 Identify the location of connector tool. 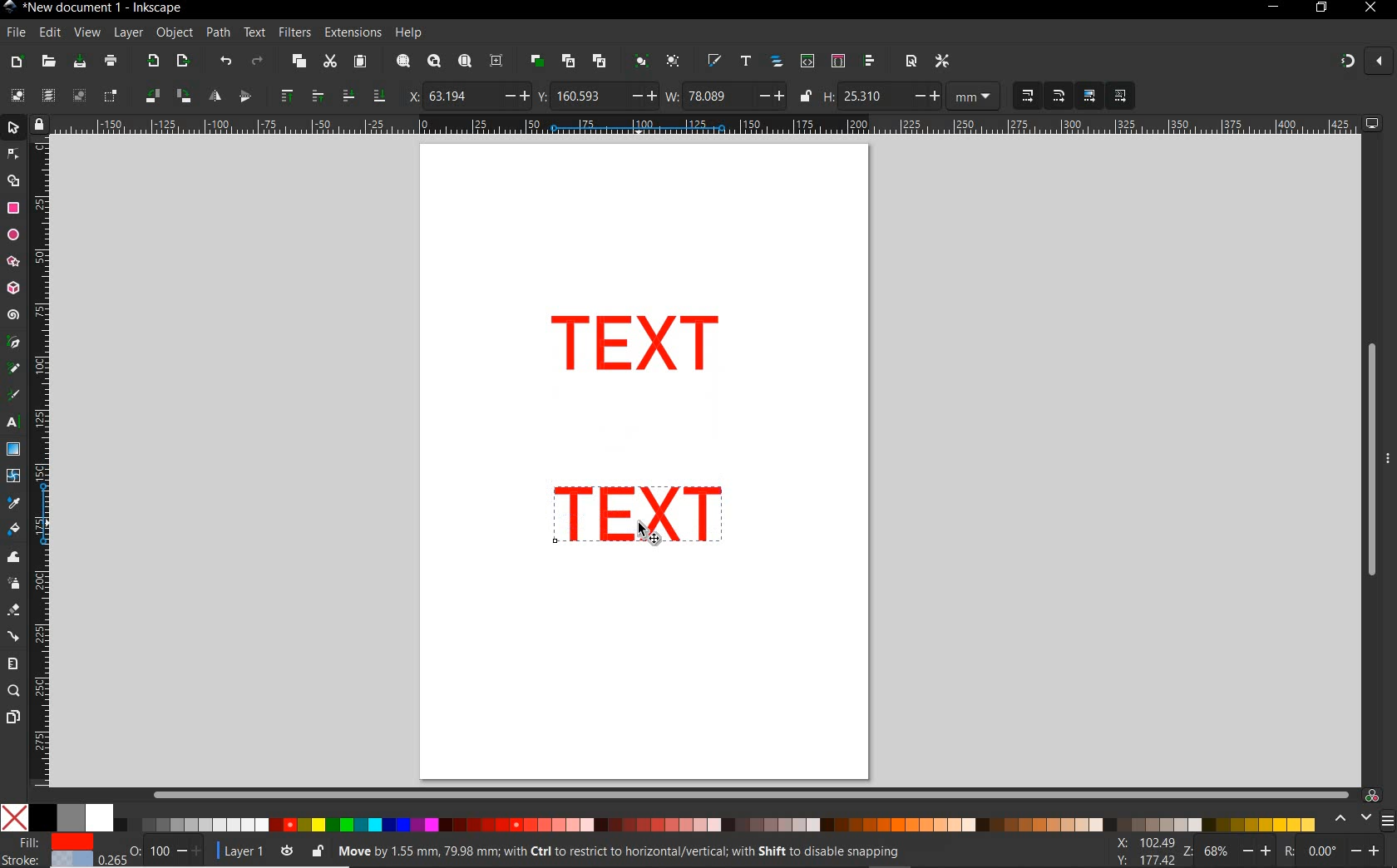
(13, 636).